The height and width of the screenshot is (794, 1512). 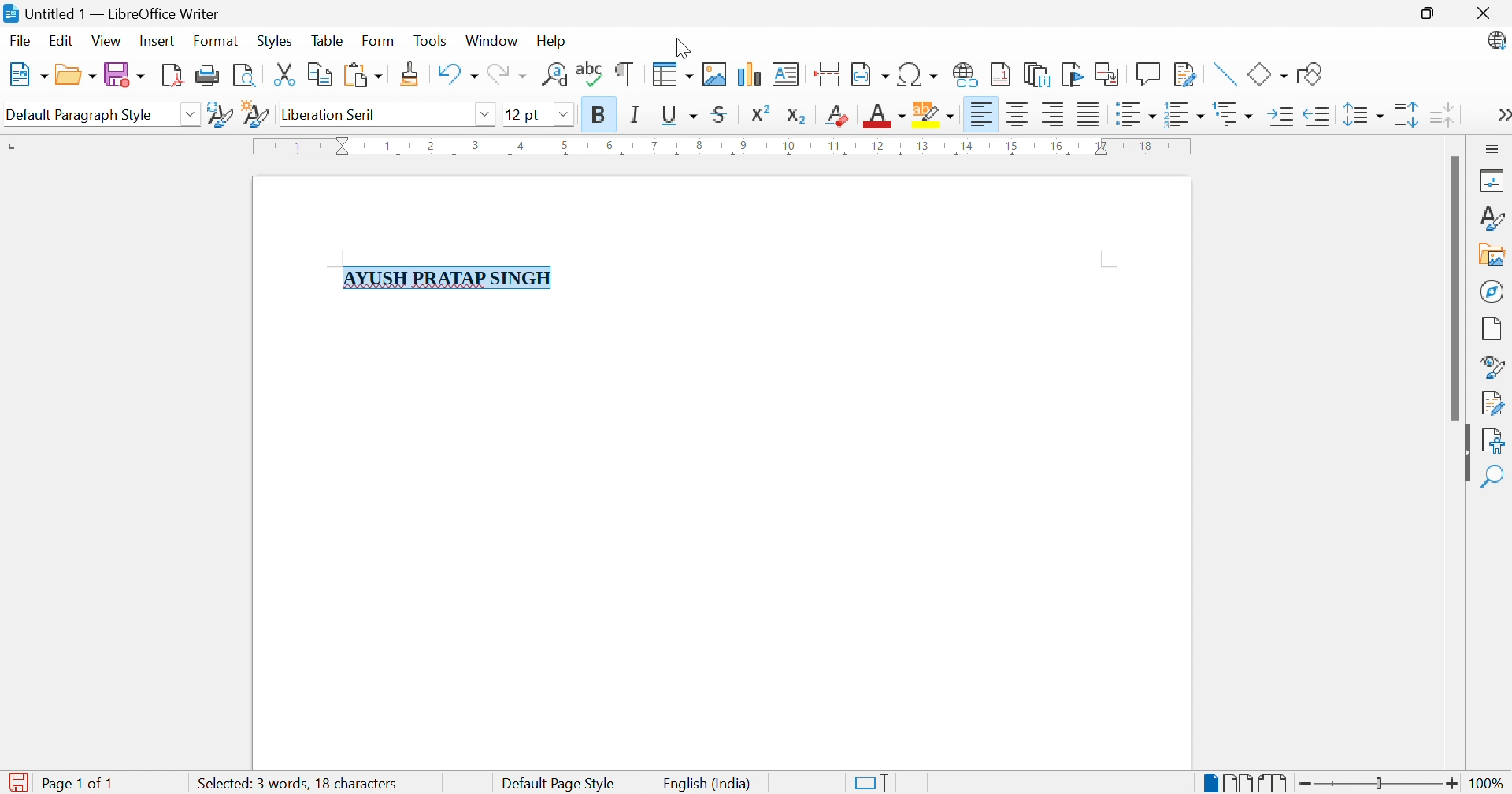 I want to click on Show Draw Functions, so click(x=1310, y=75).